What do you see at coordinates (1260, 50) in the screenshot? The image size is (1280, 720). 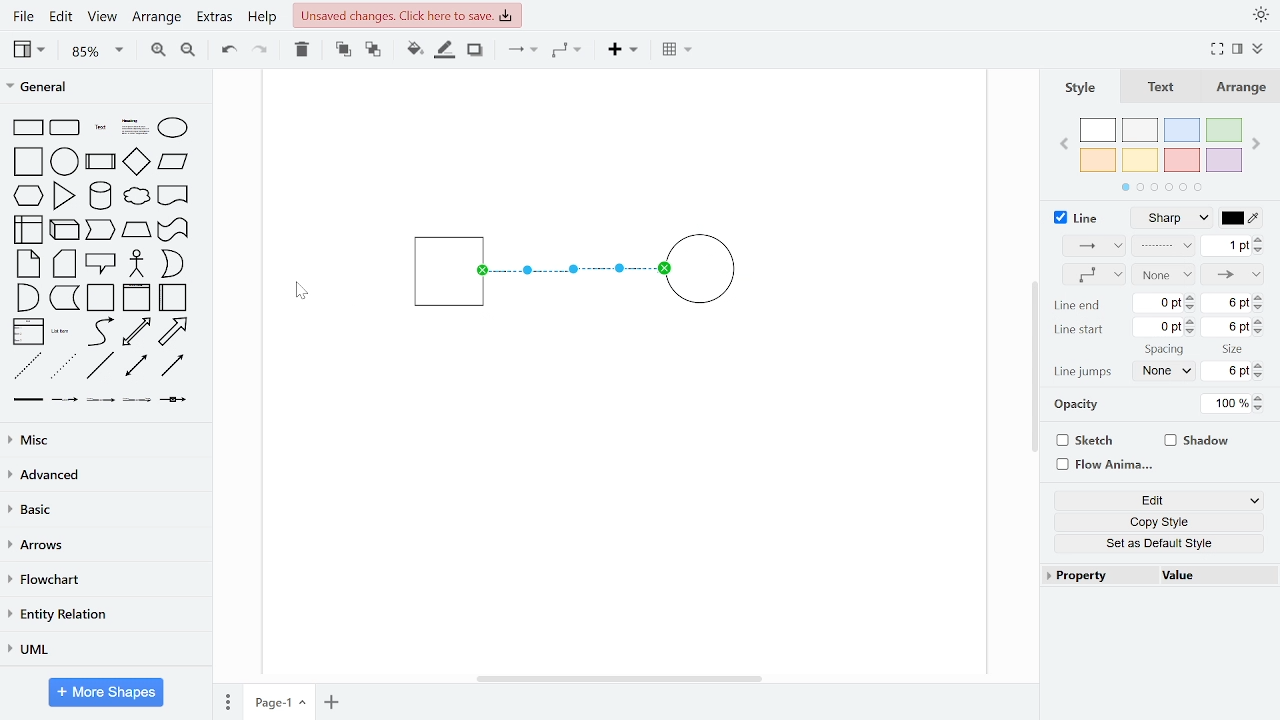 I see `collapse` at bounding box center [1260, 50].